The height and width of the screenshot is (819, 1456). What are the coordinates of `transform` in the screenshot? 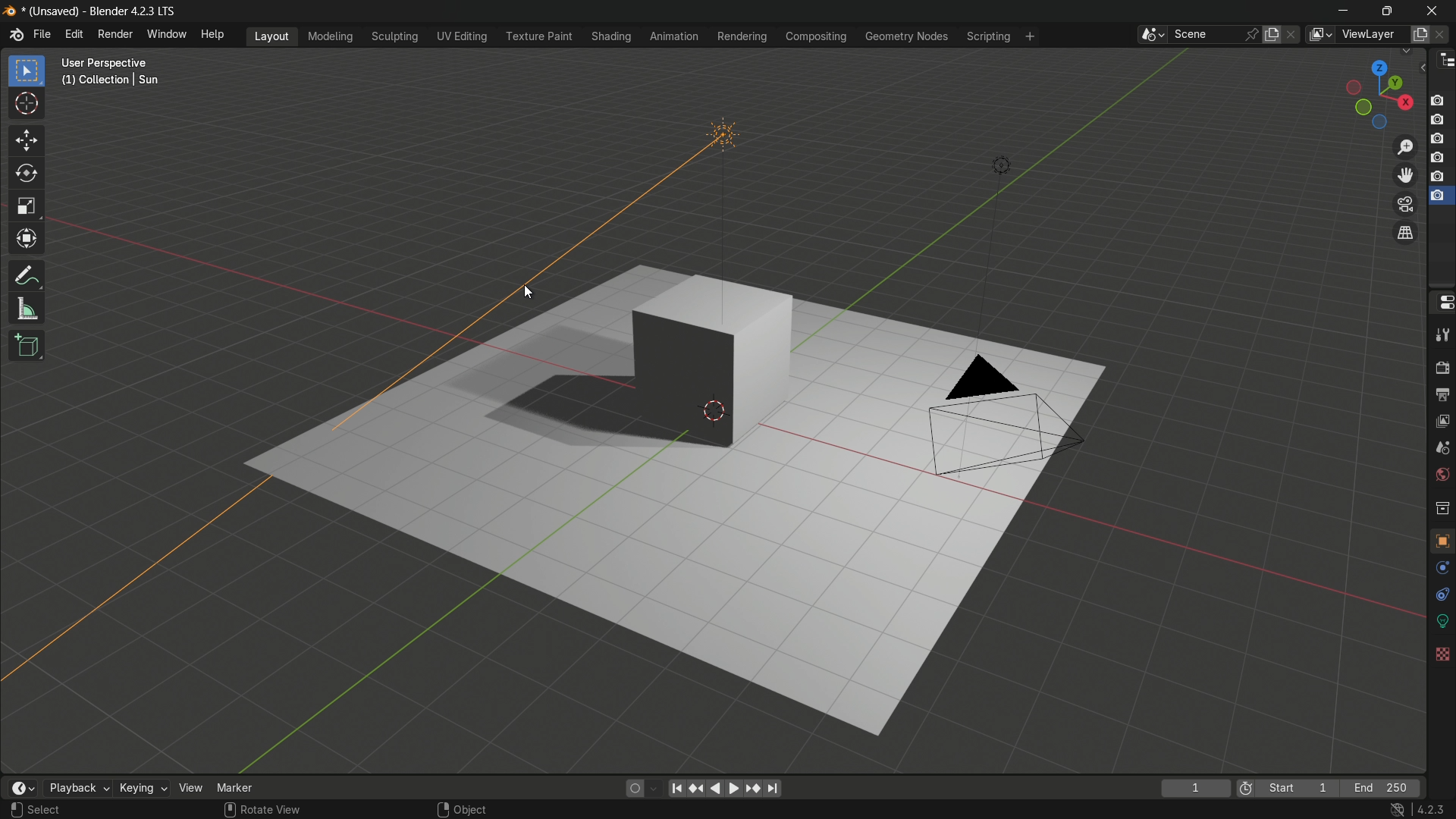 It's located at (29, 241).